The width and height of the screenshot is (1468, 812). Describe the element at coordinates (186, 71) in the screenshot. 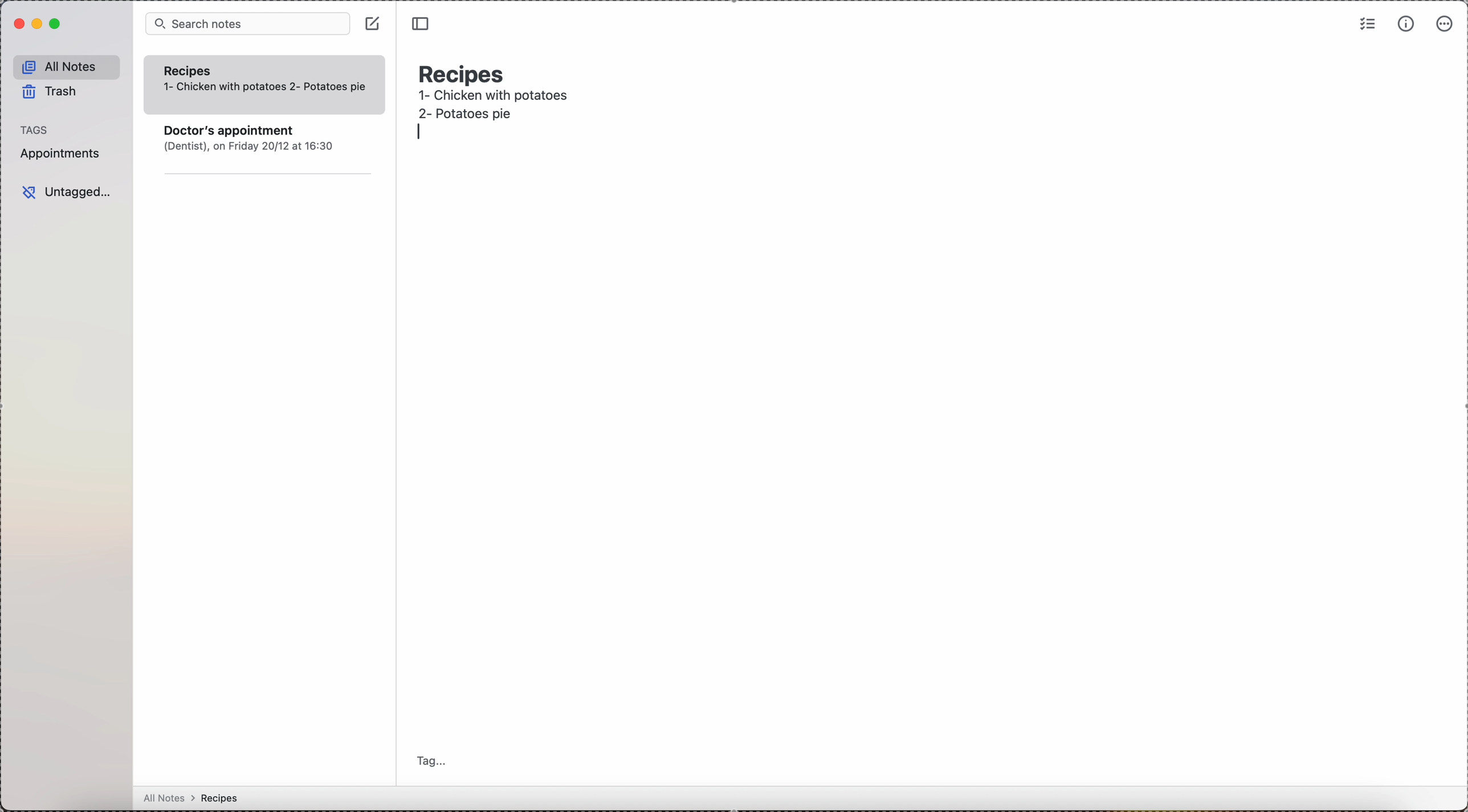

I see `Recipes` at that location.